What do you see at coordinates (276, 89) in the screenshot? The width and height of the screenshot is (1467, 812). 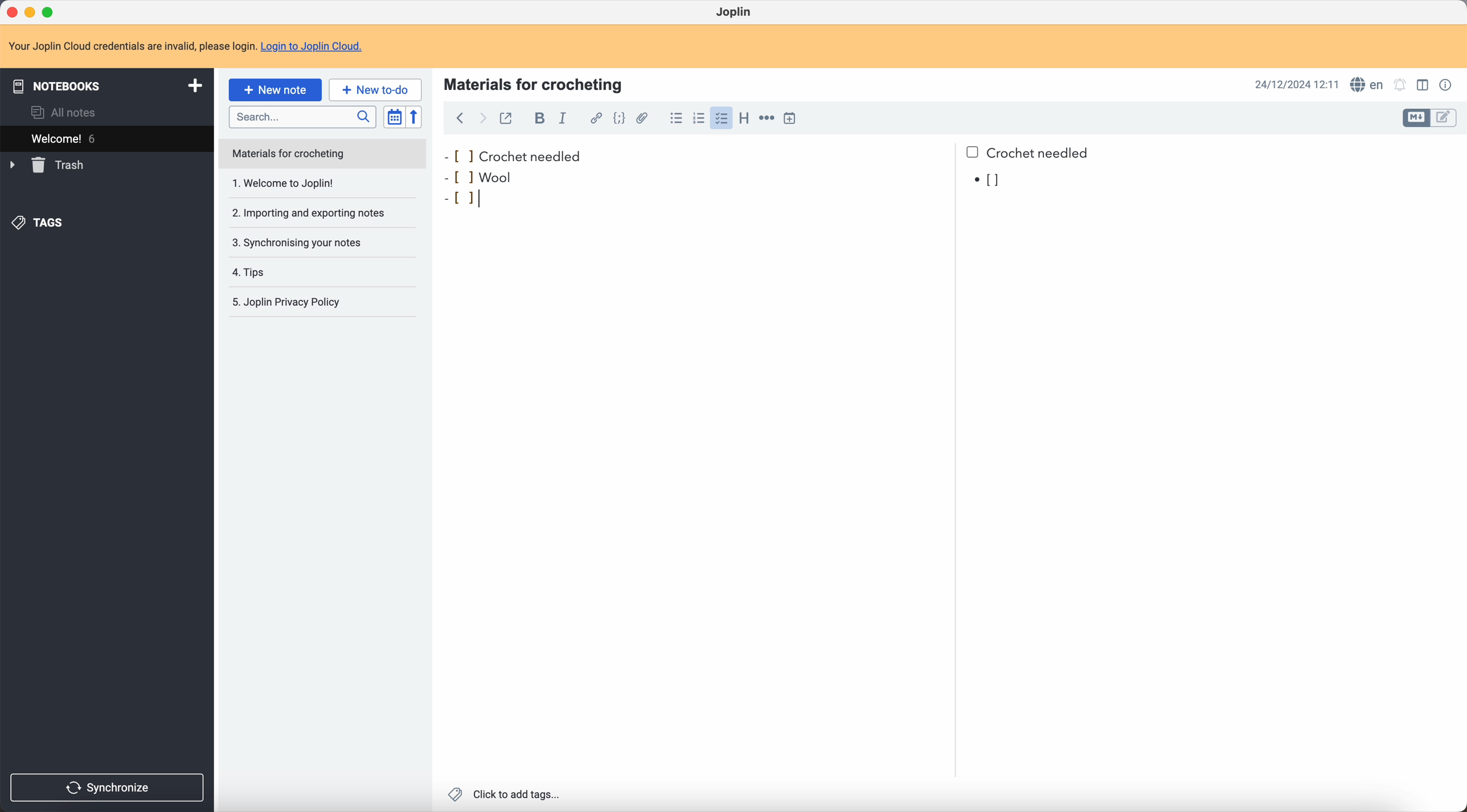 I see `click on new note` at bounding box center [276, 89].